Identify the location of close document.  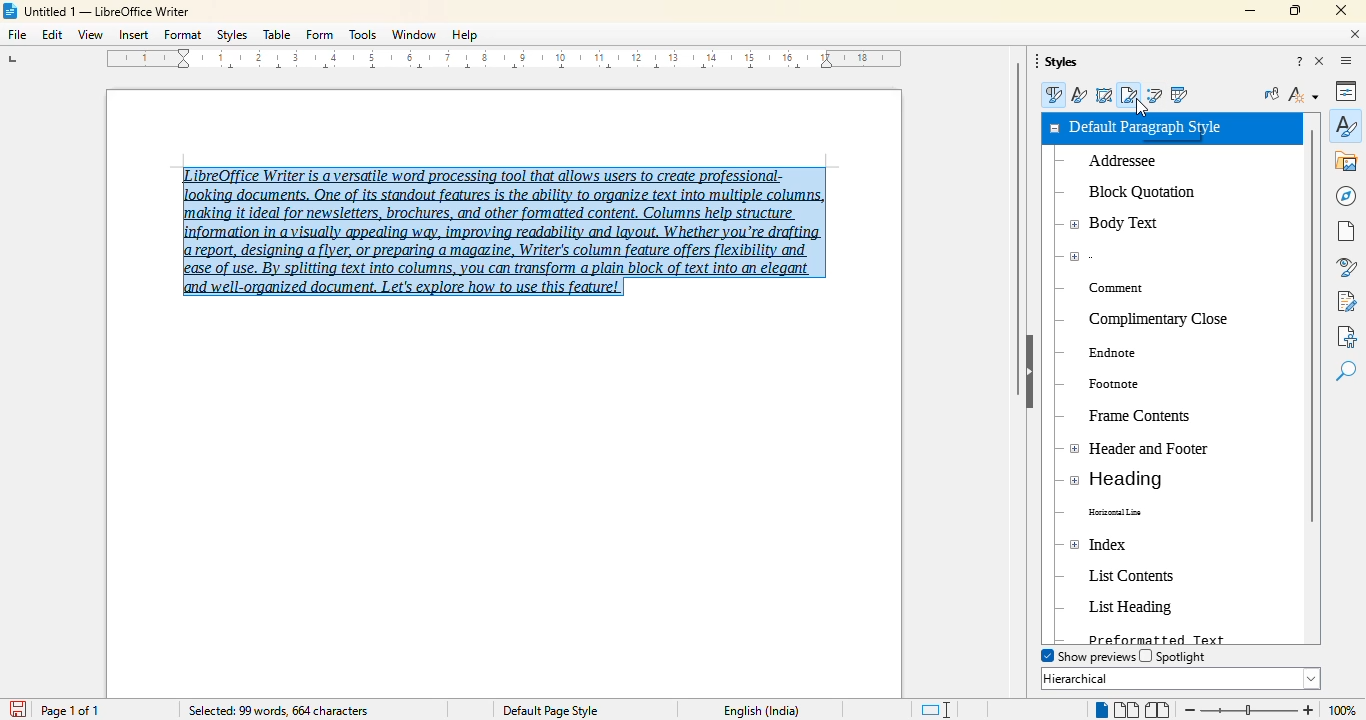
(1356, 34).